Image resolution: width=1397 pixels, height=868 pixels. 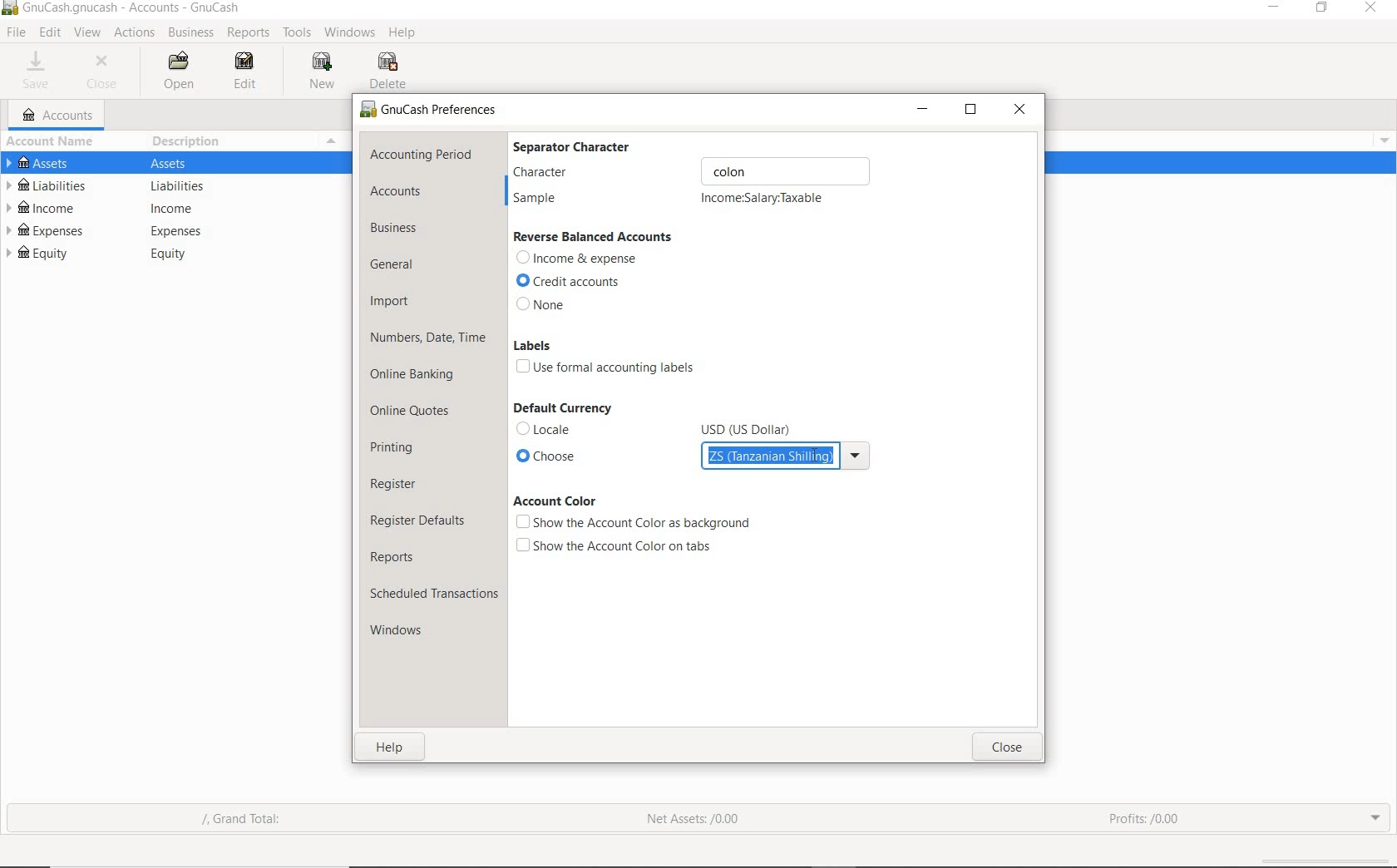 I want to click on credit accounts, so click(x=573, y=282).